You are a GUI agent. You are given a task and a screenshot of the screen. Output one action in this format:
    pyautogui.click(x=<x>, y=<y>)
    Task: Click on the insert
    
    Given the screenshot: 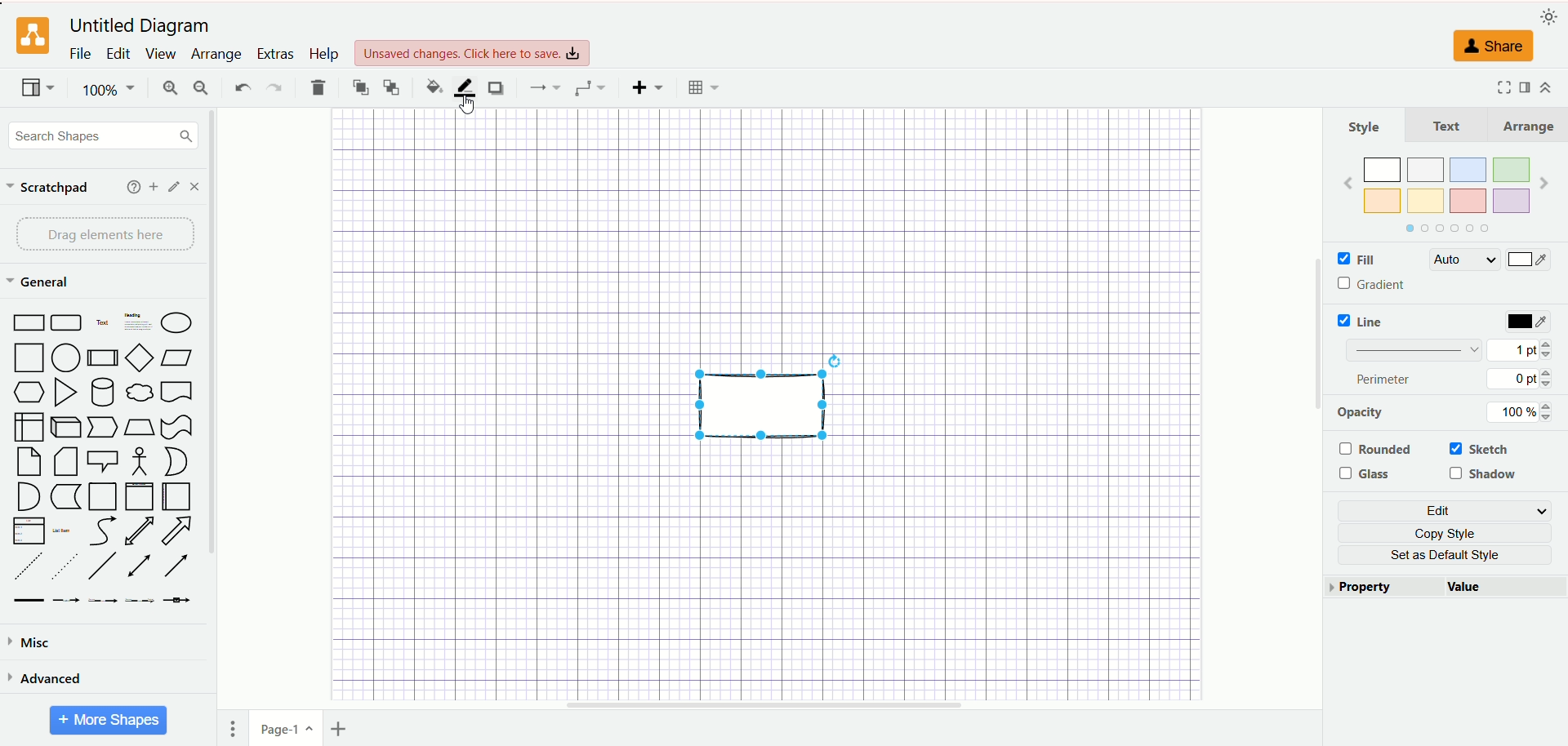 What is the action you would take?
    pyautogui.click(x=644, y=87)
    